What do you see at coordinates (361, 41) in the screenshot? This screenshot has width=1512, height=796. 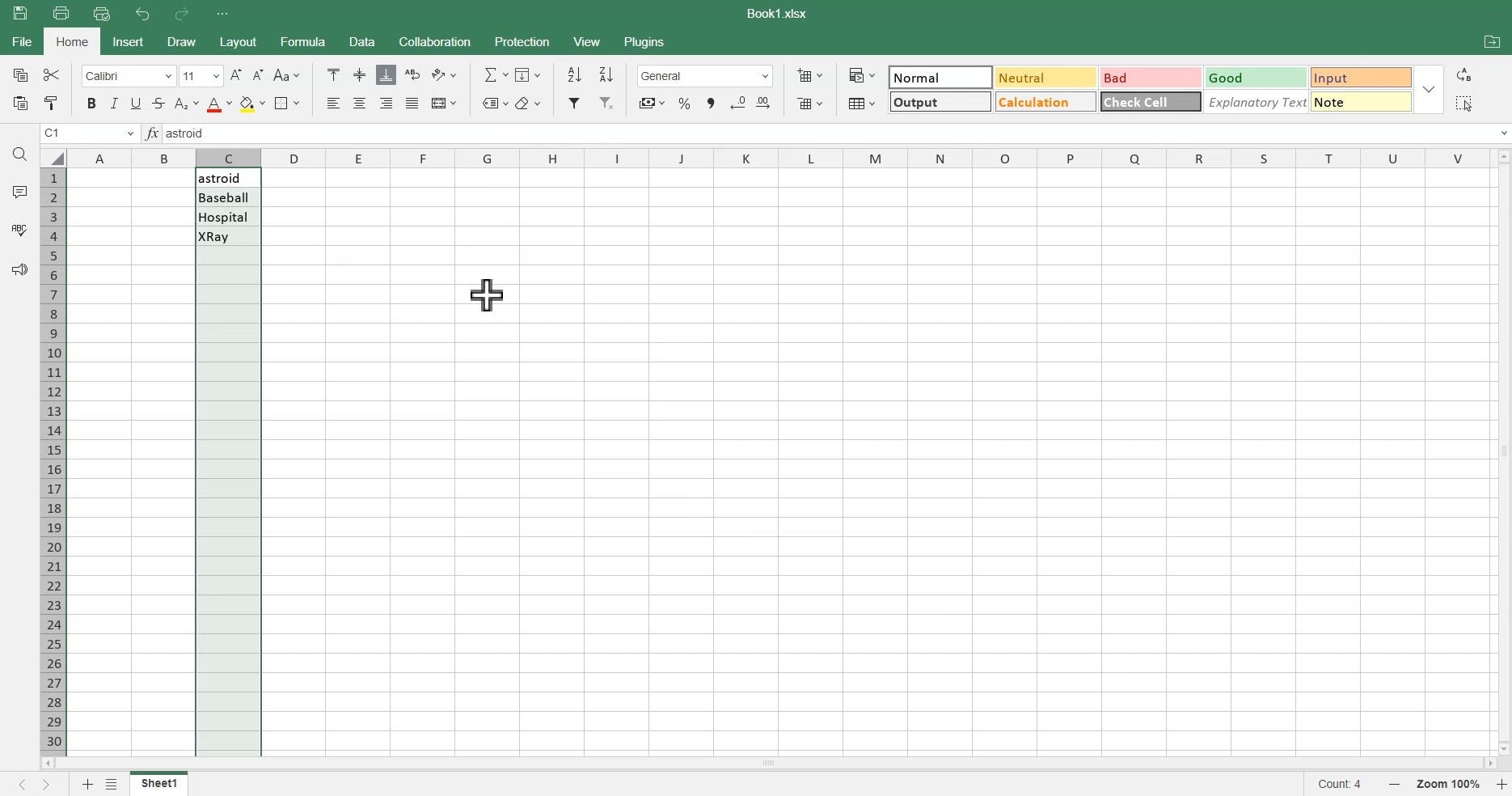 I see `Data` at bounding box center [361, 41].